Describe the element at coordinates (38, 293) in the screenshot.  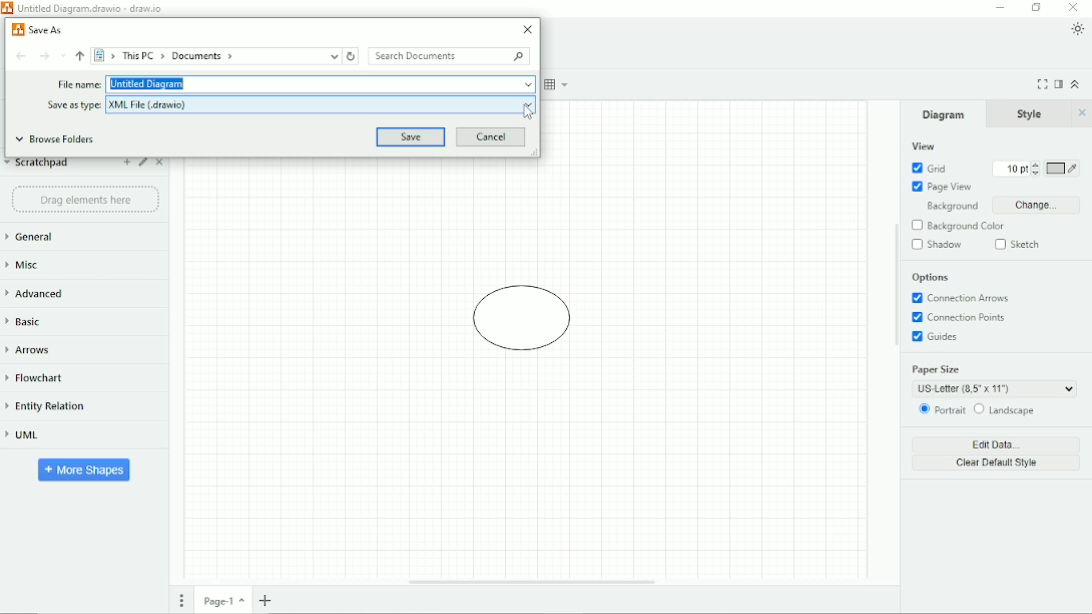
I see `Advanced` at that location.